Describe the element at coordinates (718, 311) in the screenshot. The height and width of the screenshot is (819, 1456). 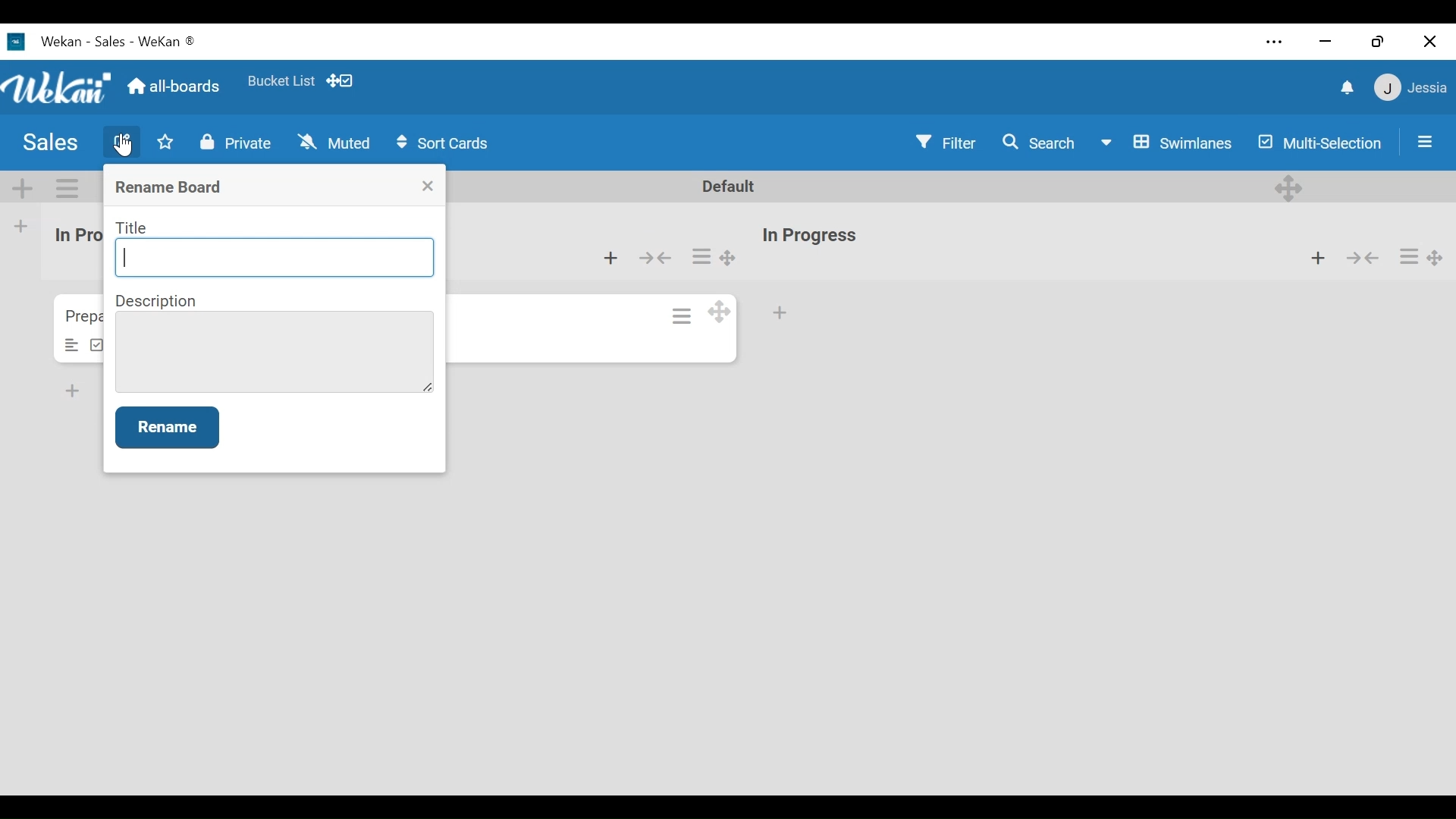
I see `Desktop drag handle` at that location.